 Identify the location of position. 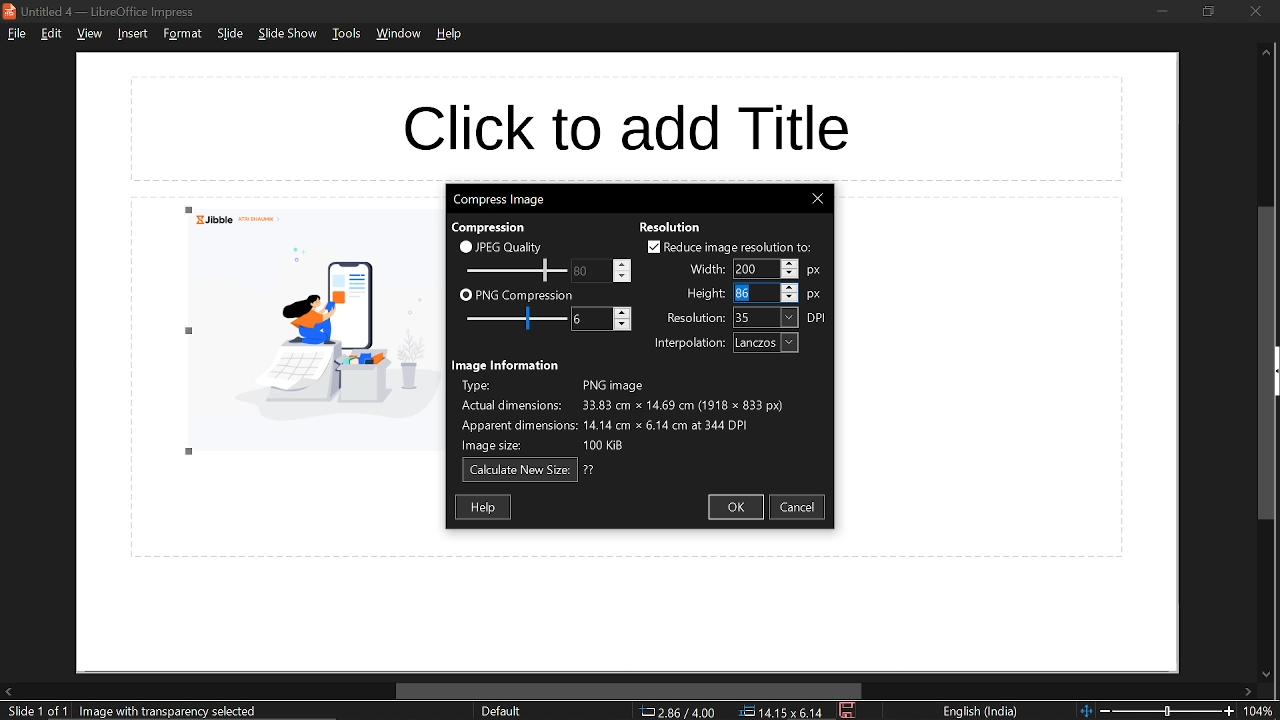
(781, 712).